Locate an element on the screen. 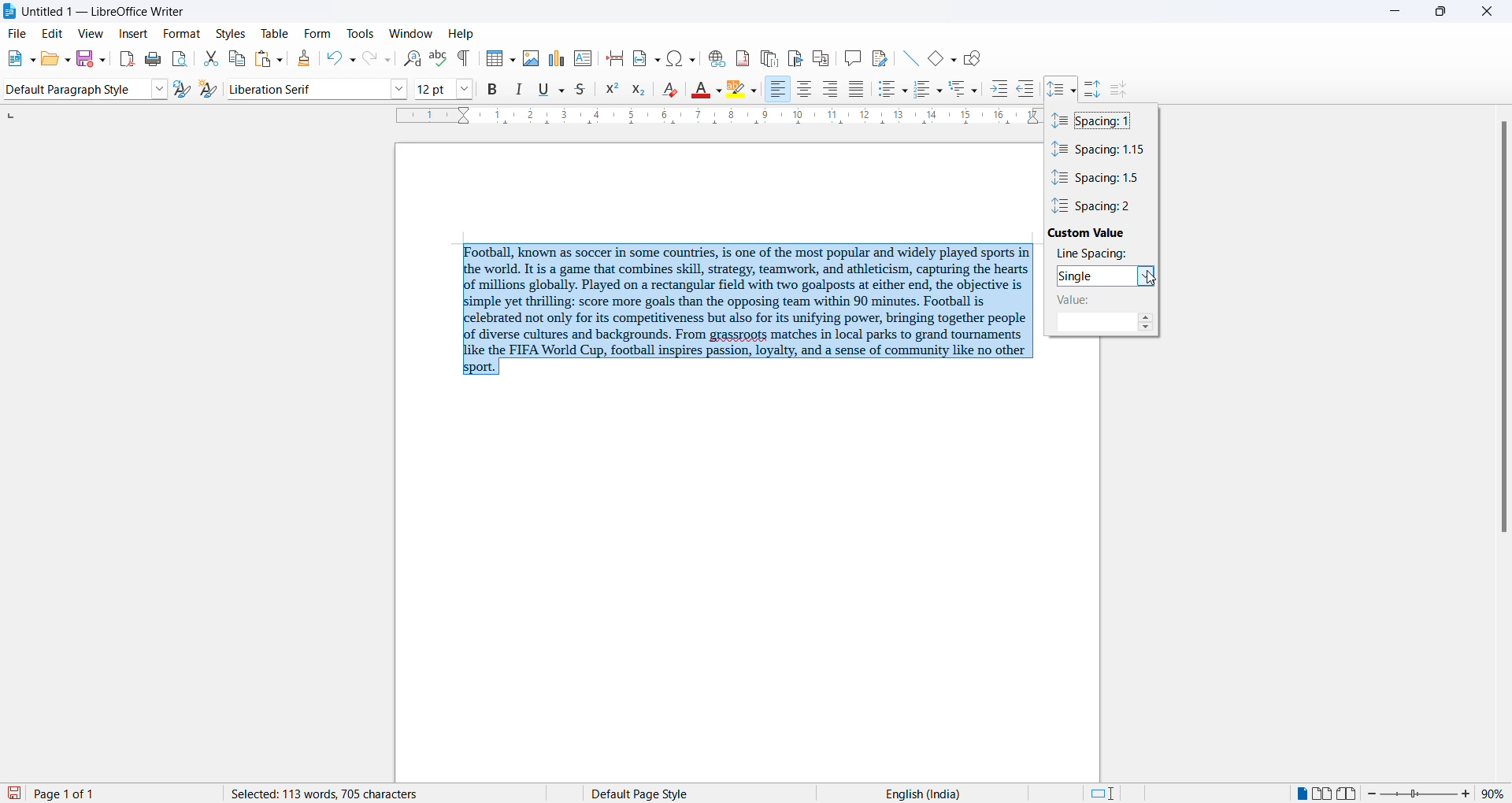  insert hyperlink is located at coordinates (717, 60).